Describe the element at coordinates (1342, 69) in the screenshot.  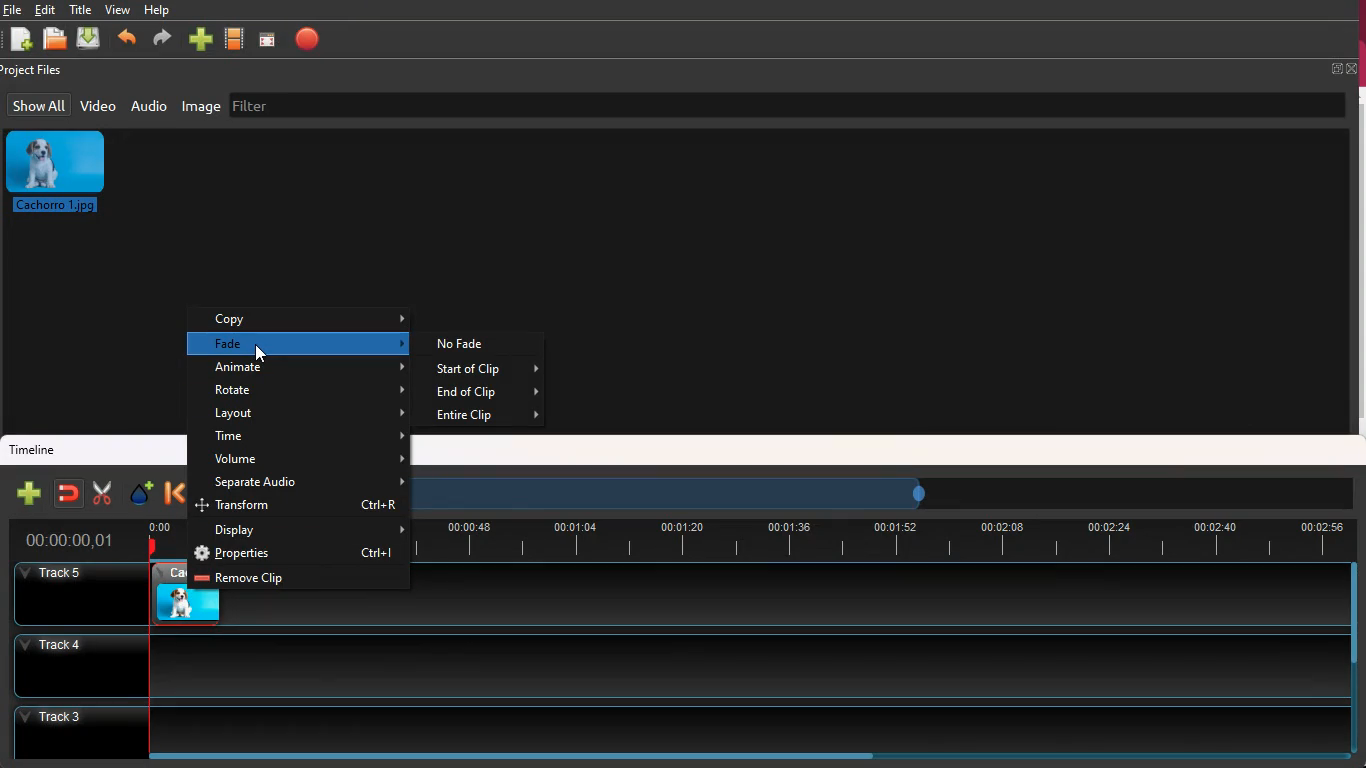
I see `full screen` at that location.